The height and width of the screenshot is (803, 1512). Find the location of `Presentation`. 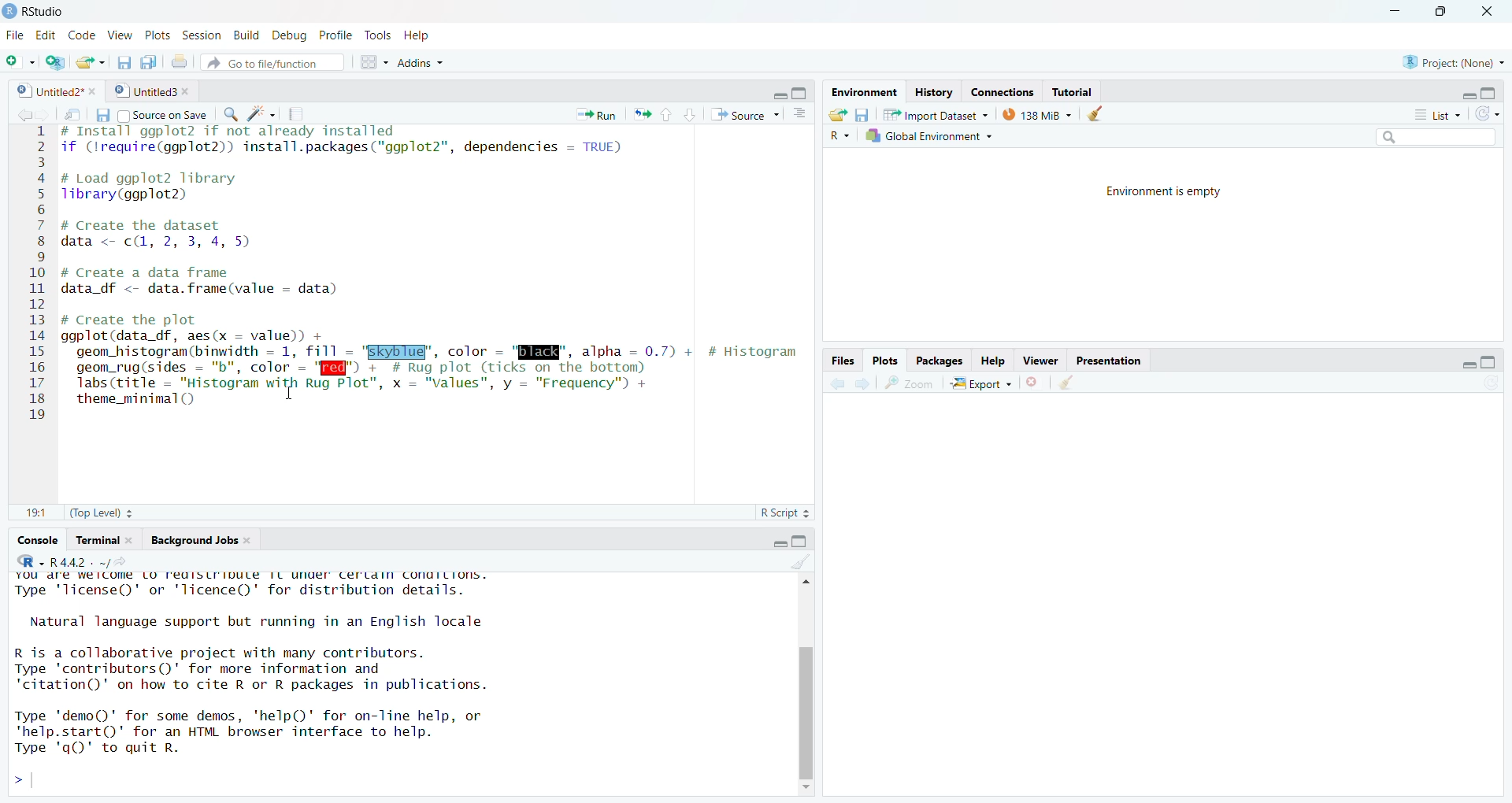

Presentation is located at coordinates (1118, 359).